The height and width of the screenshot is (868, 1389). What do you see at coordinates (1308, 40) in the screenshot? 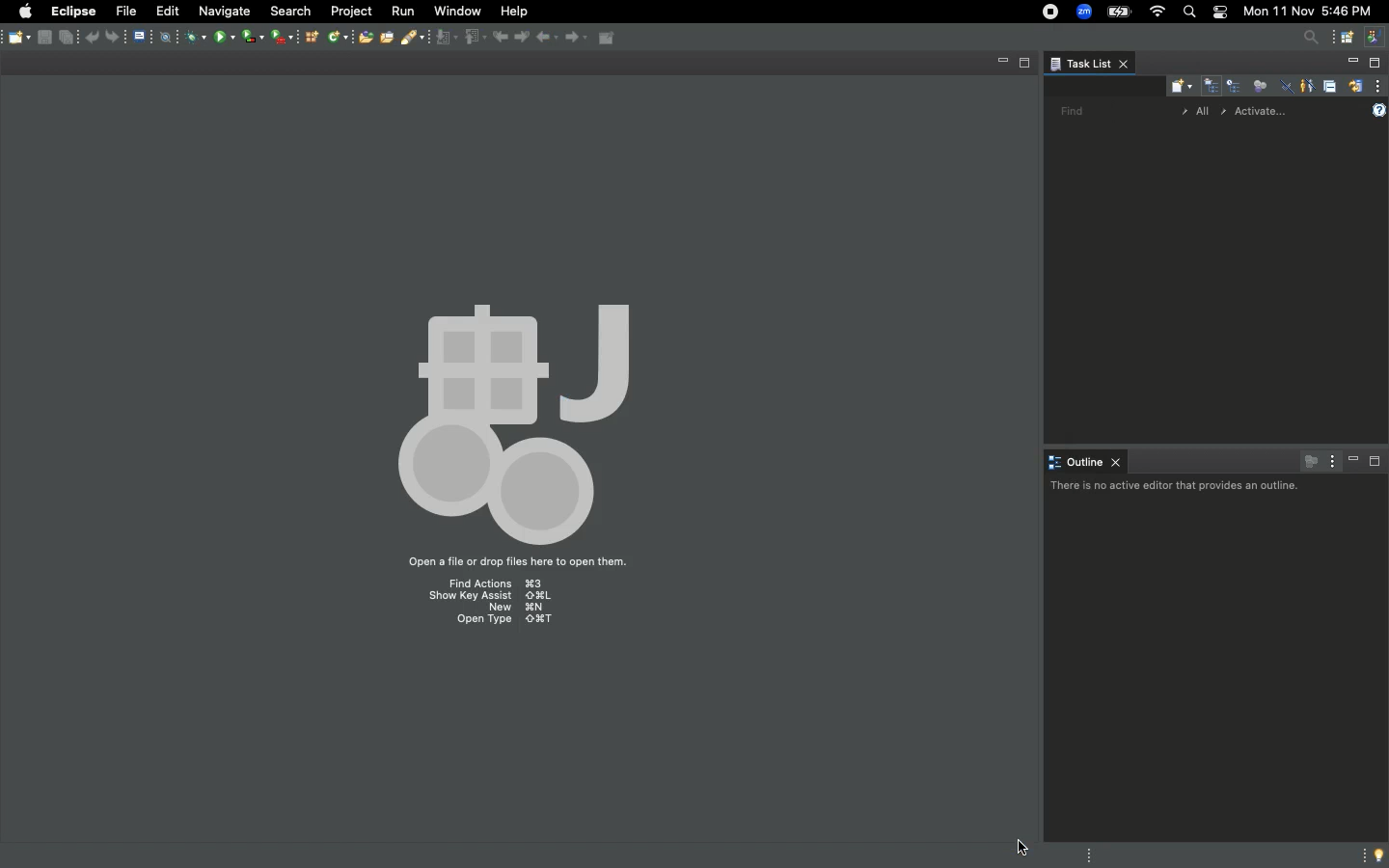
I see `Search` at bounding box center [1308, 40].